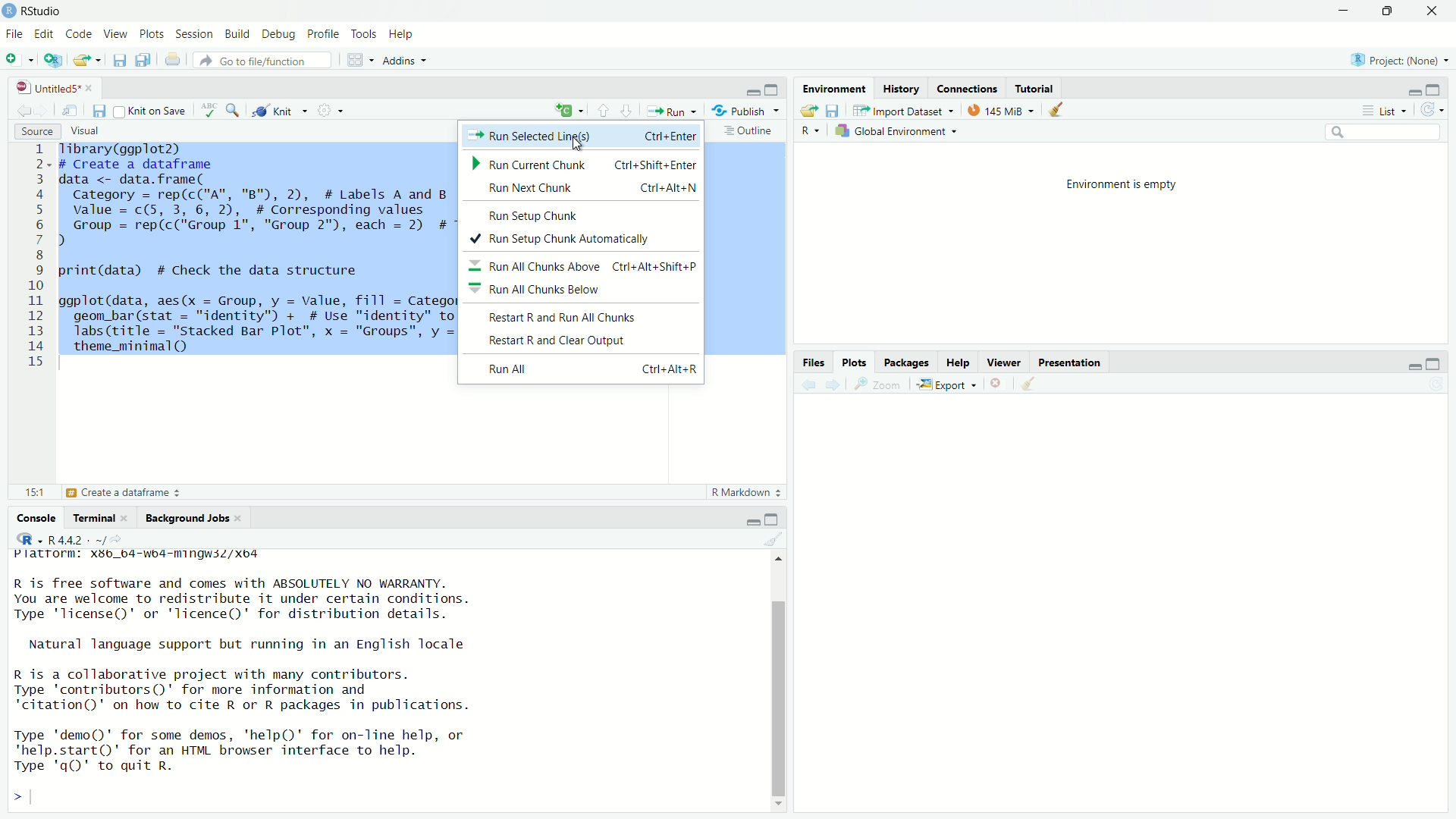  Describe the element at coordinates (579, 339) in the screenshot. I see `Restart R and Clear Output` at that location.